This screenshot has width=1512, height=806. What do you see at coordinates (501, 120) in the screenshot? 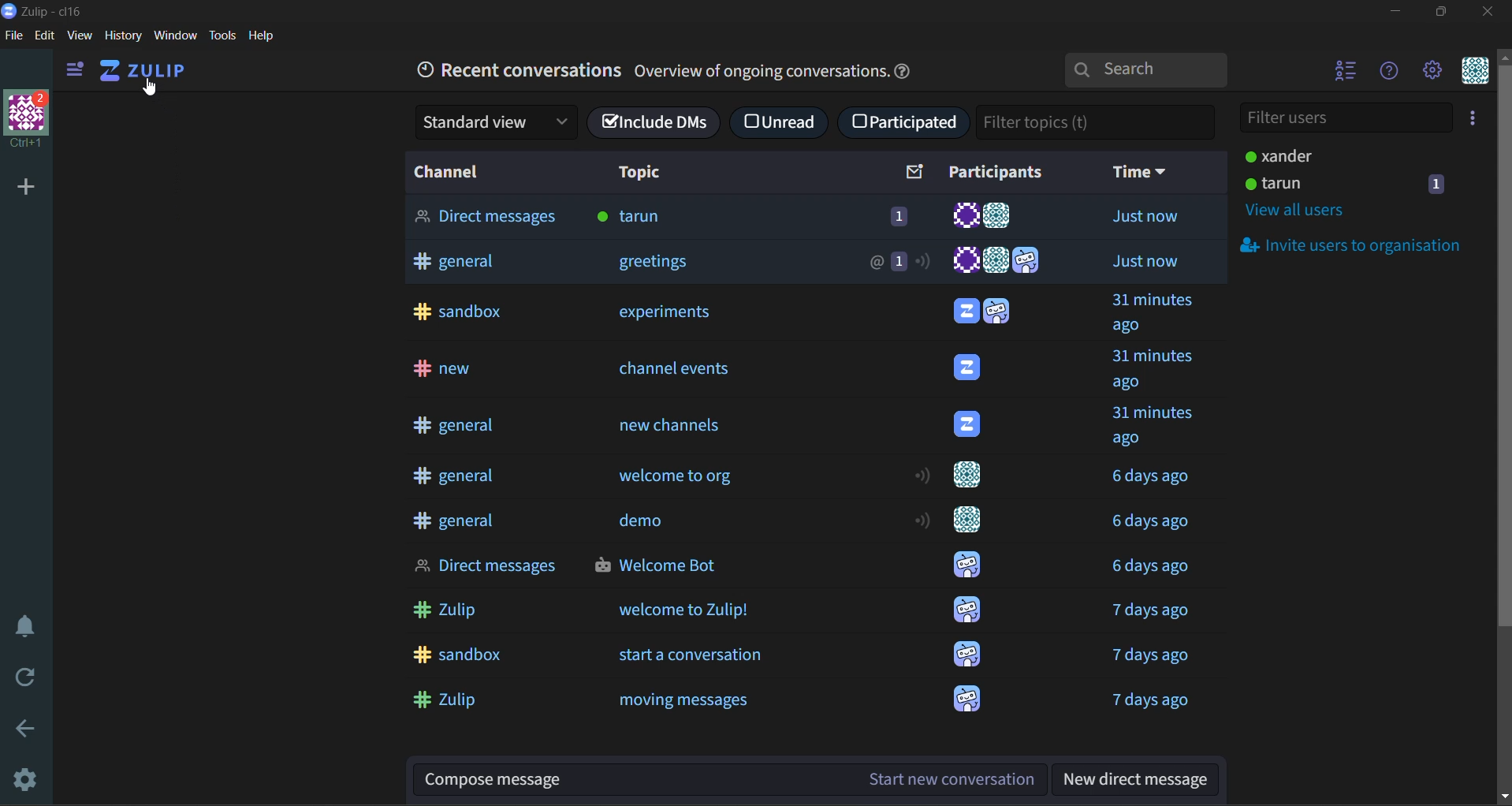
I see `standard view` at bounding box center [501, 120].